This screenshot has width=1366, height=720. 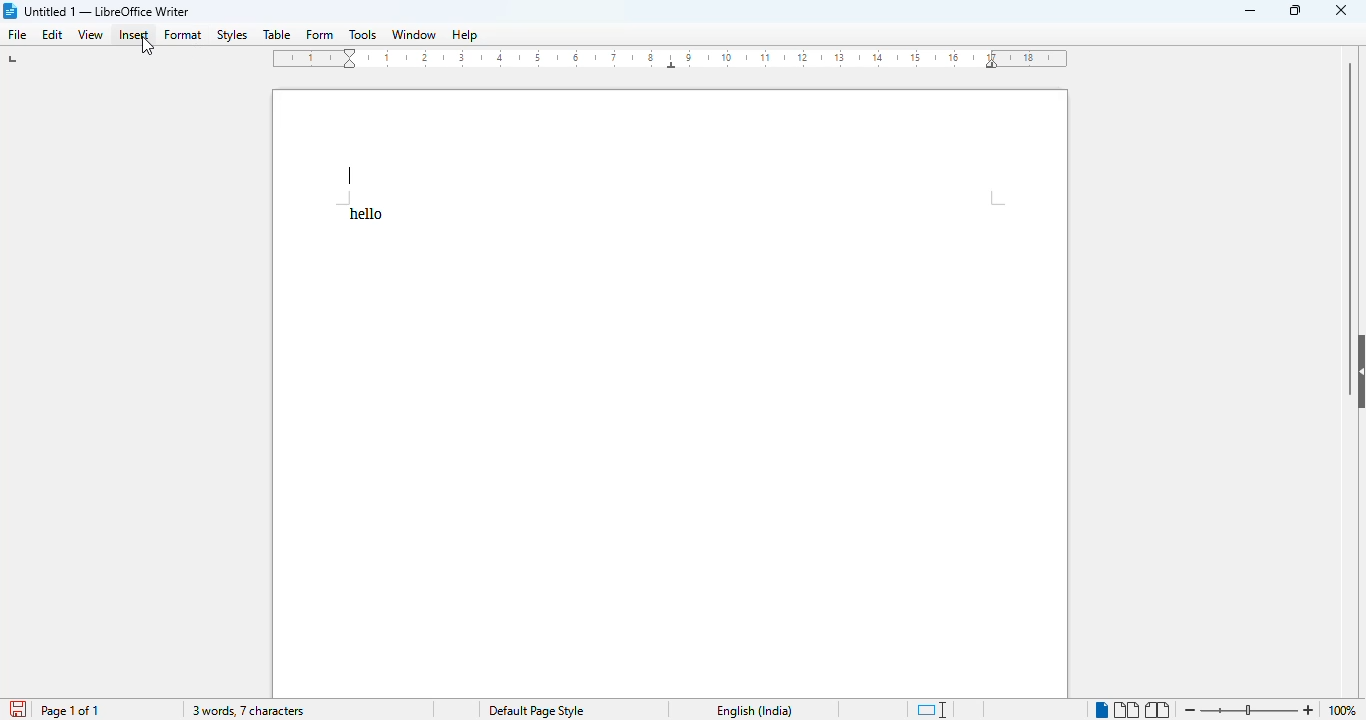 What do you see at coordinates (932, 710) in the screenshot?
I see `standard selection` at bounding box center [932, 710].